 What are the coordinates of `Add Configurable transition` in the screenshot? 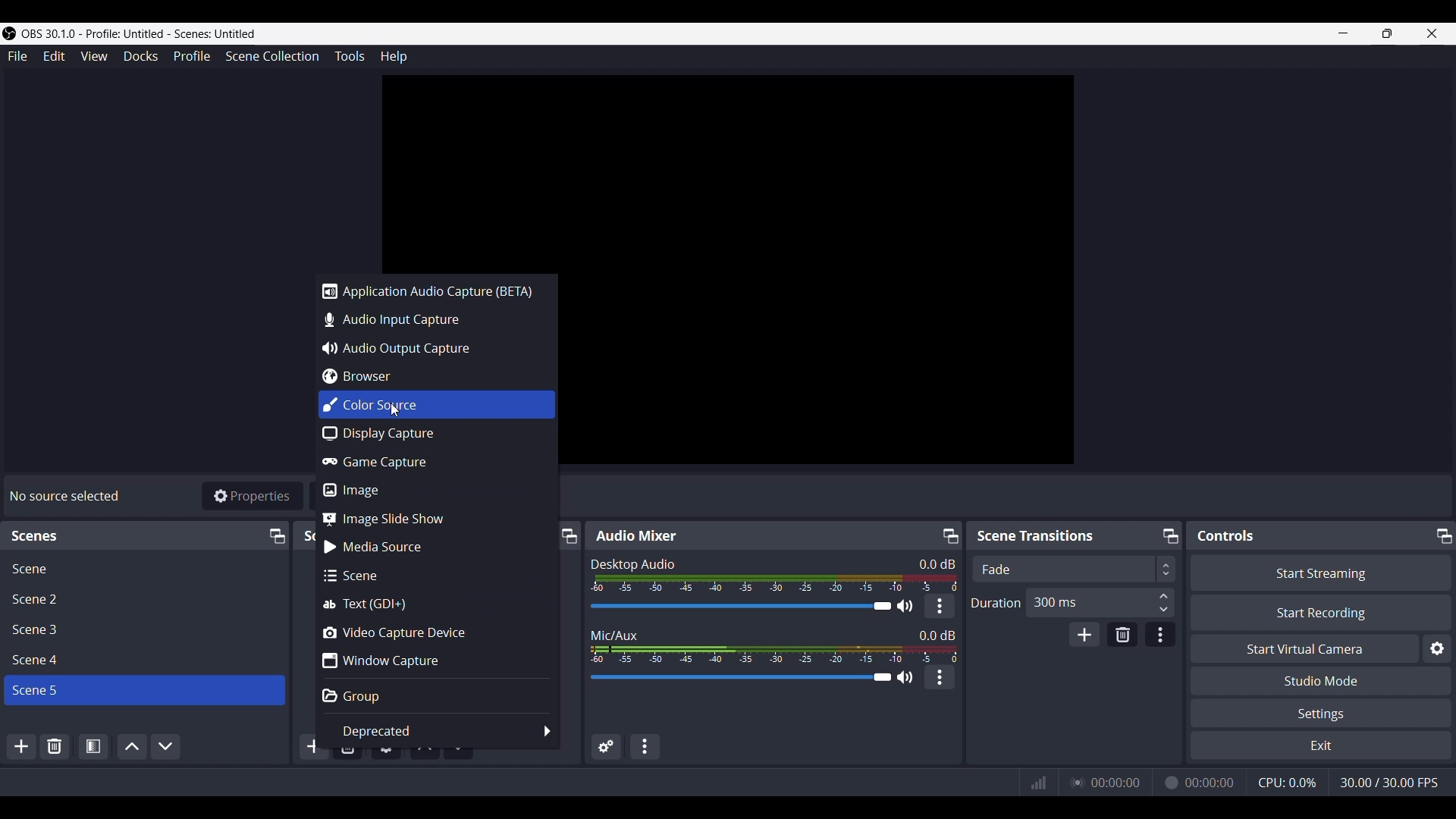 It's located at (1084, 634).